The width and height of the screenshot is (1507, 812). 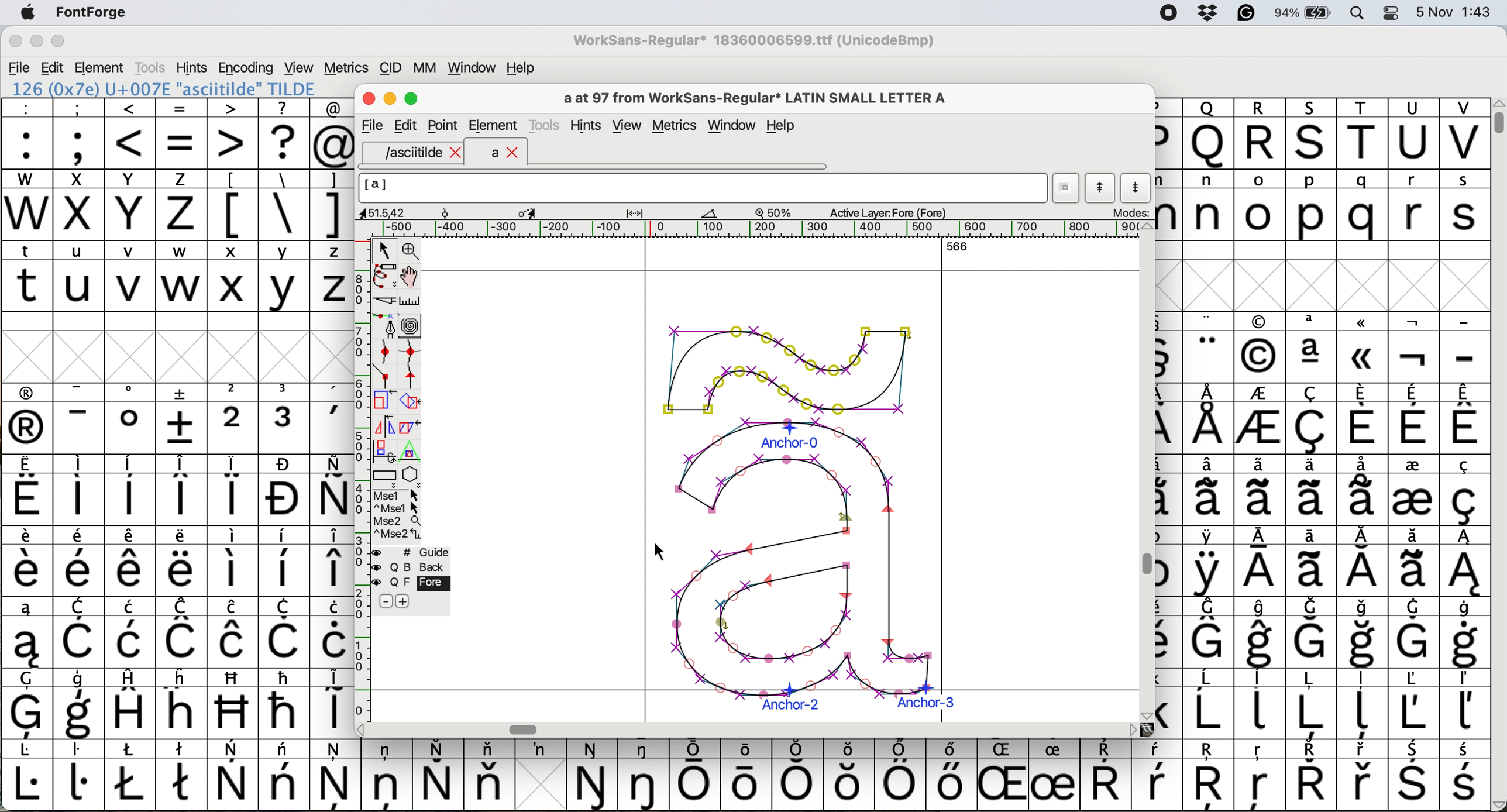 What do you see at coordinates (761, 229) in the screenshot?
I see `horizontal scale` at bounding box center [761, 229].